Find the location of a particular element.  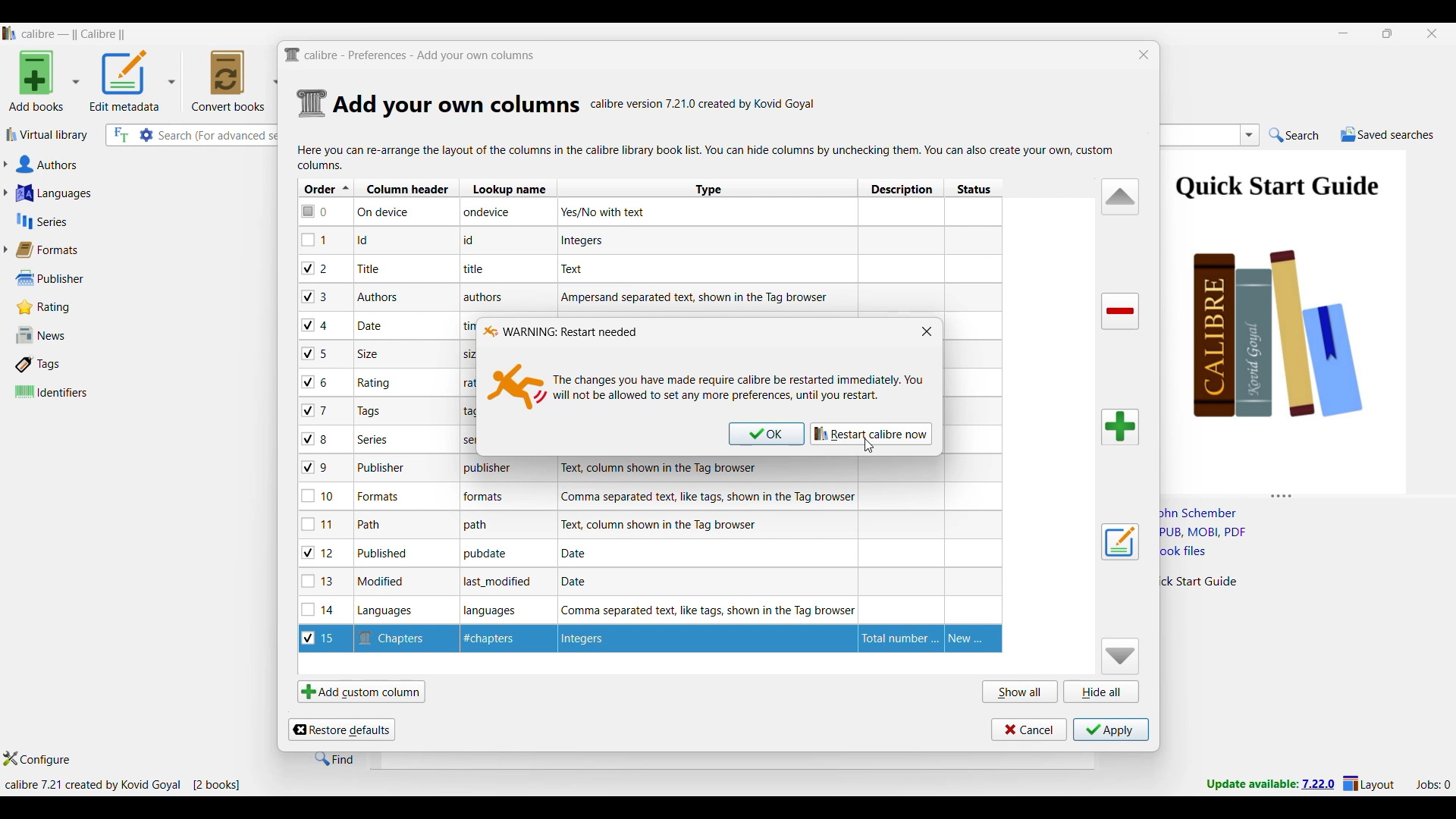

Note is located at coordinates (385, 582).